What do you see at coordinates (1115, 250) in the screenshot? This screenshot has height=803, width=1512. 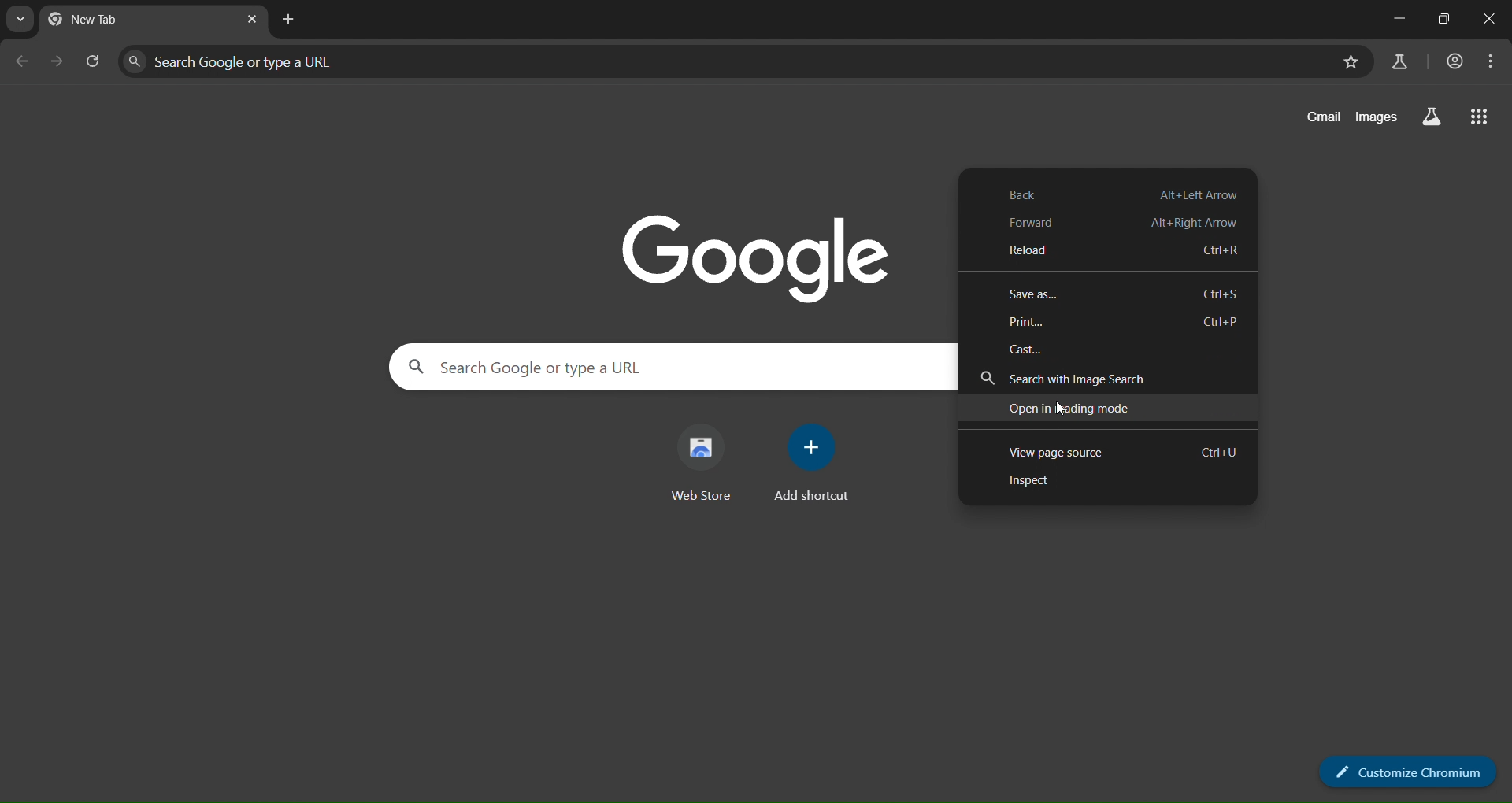 I see `reload` at bounding box center [1115, 250].